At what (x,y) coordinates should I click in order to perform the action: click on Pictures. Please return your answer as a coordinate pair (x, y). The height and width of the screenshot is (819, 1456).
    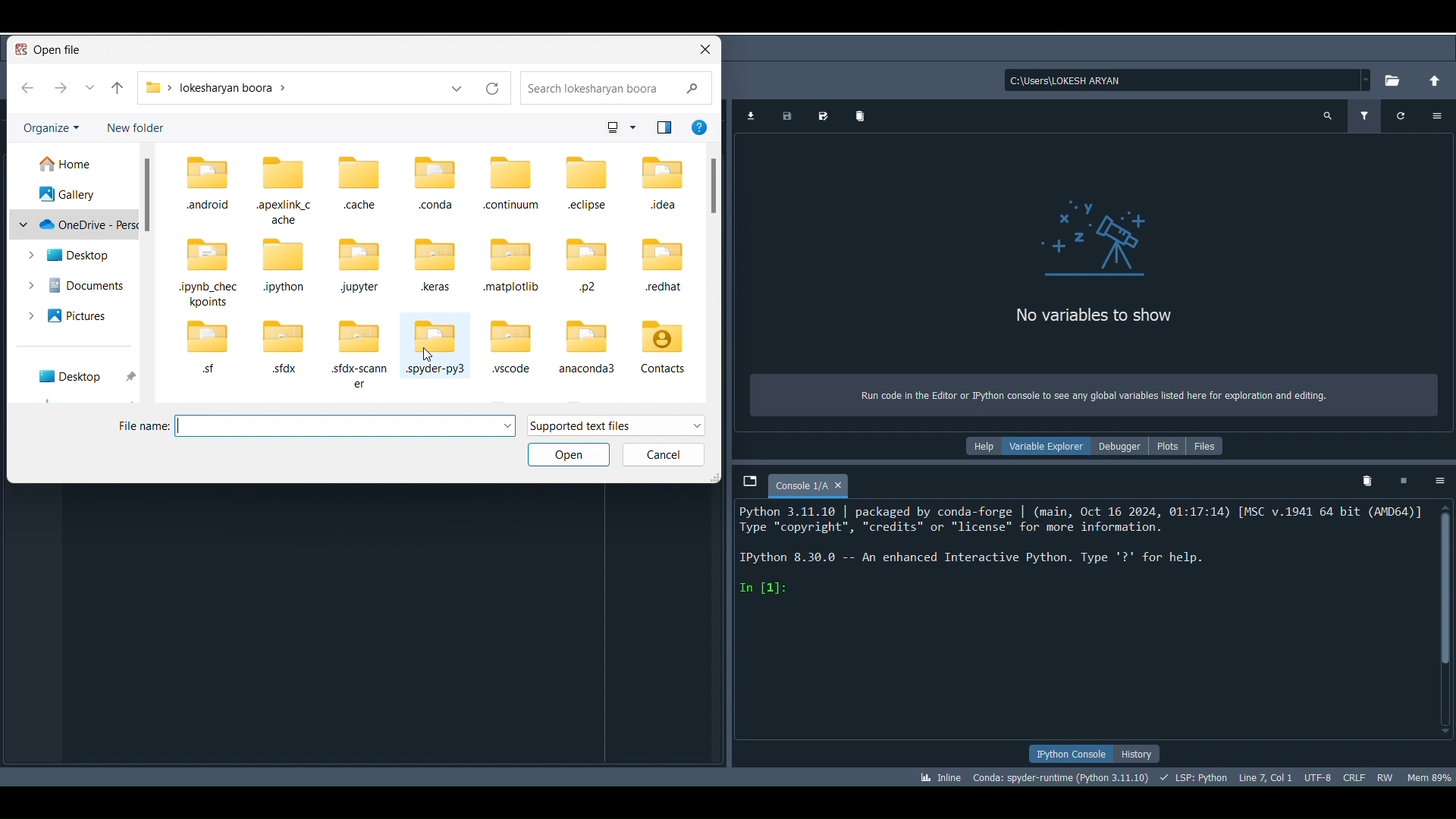
    Looking at the image, I should click on (81, 315).